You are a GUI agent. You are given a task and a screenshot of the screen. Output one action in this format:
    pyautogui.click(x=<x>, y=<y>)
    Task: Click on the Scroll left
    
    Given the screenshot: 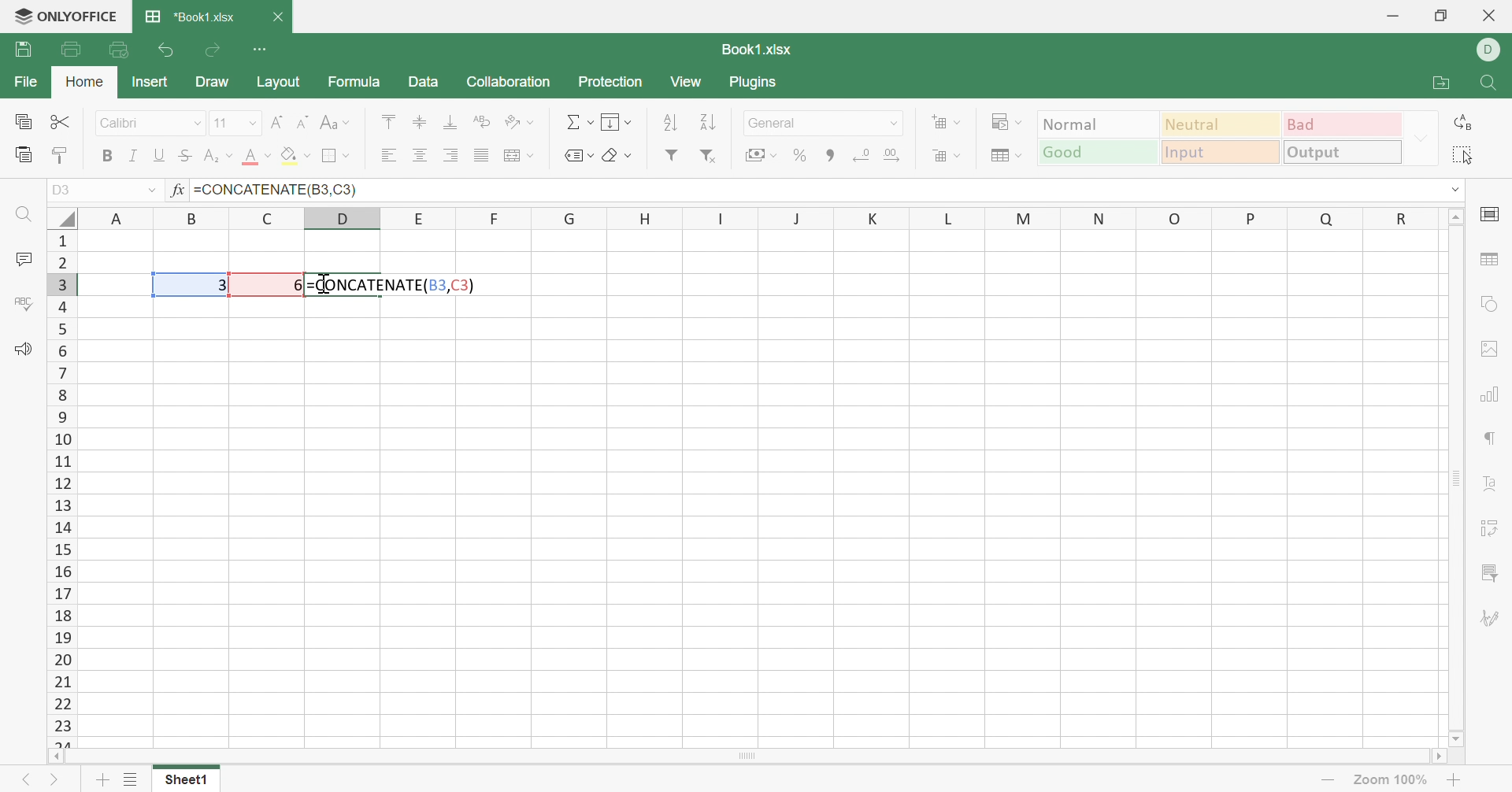 What is the action you would take?
    pyautogui.click(x=54, y=760)
    